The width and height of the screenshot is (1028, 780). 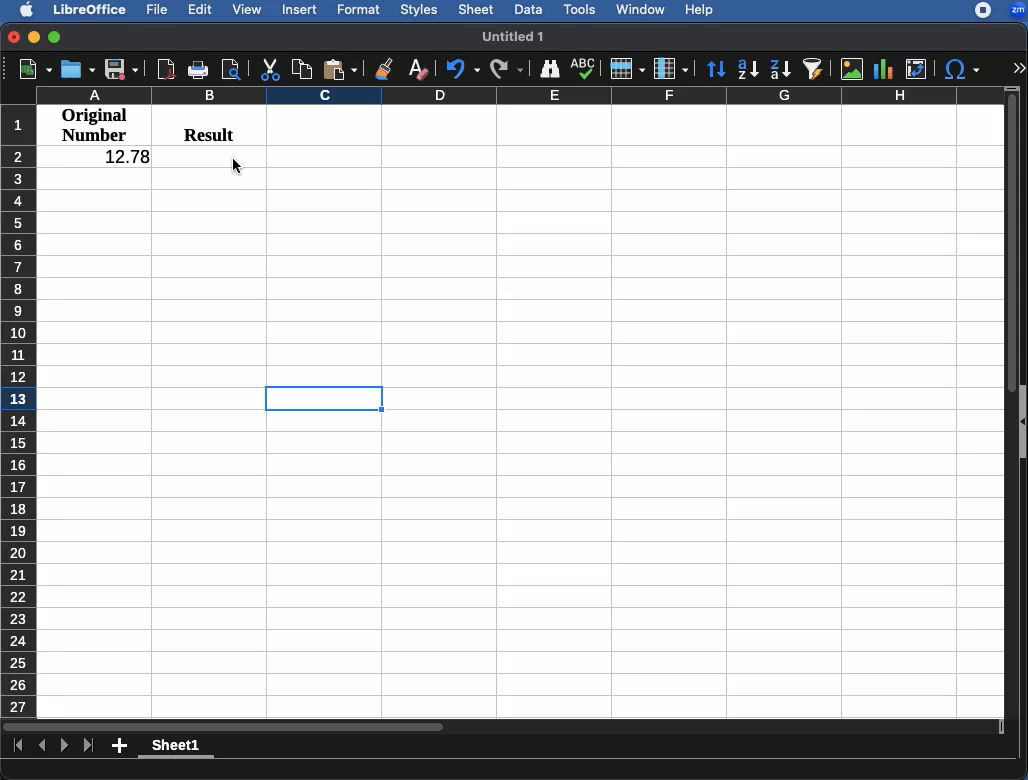 What do you see at coordinates (507, 70) in the screenshot?
I see `Redo` at bounding box center [507, 70].